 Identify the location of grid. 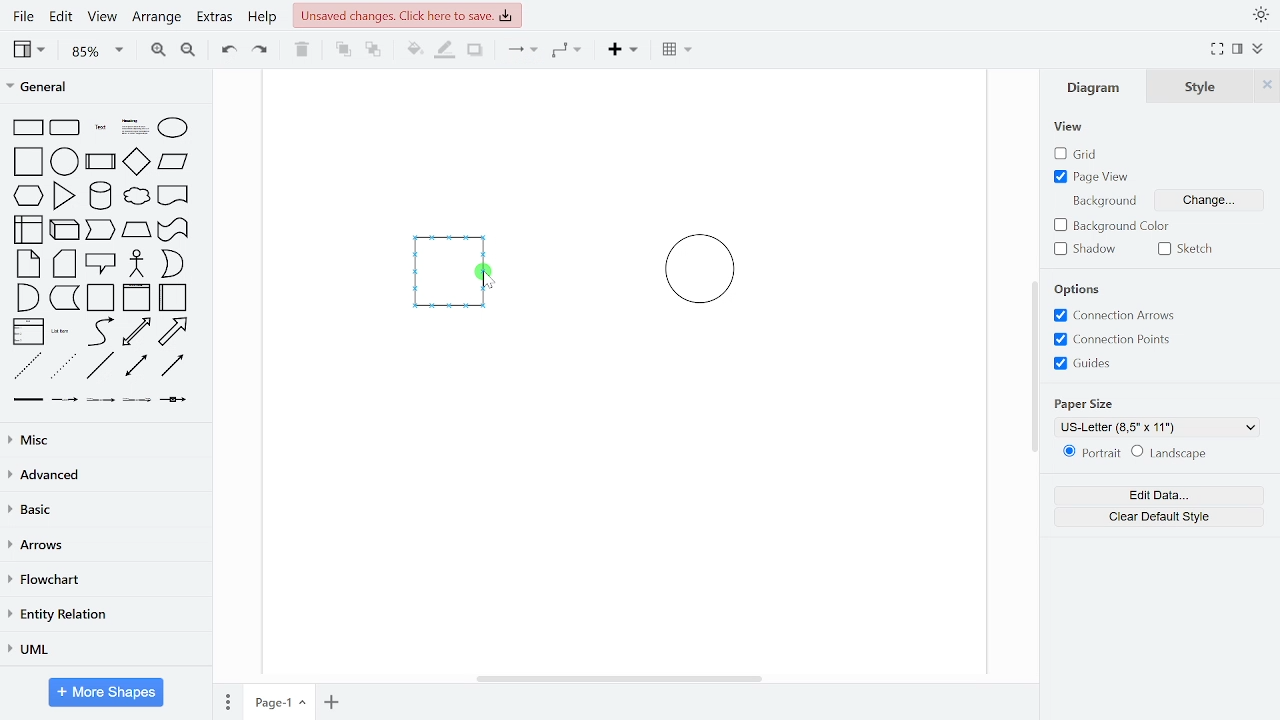
(1086, 154).